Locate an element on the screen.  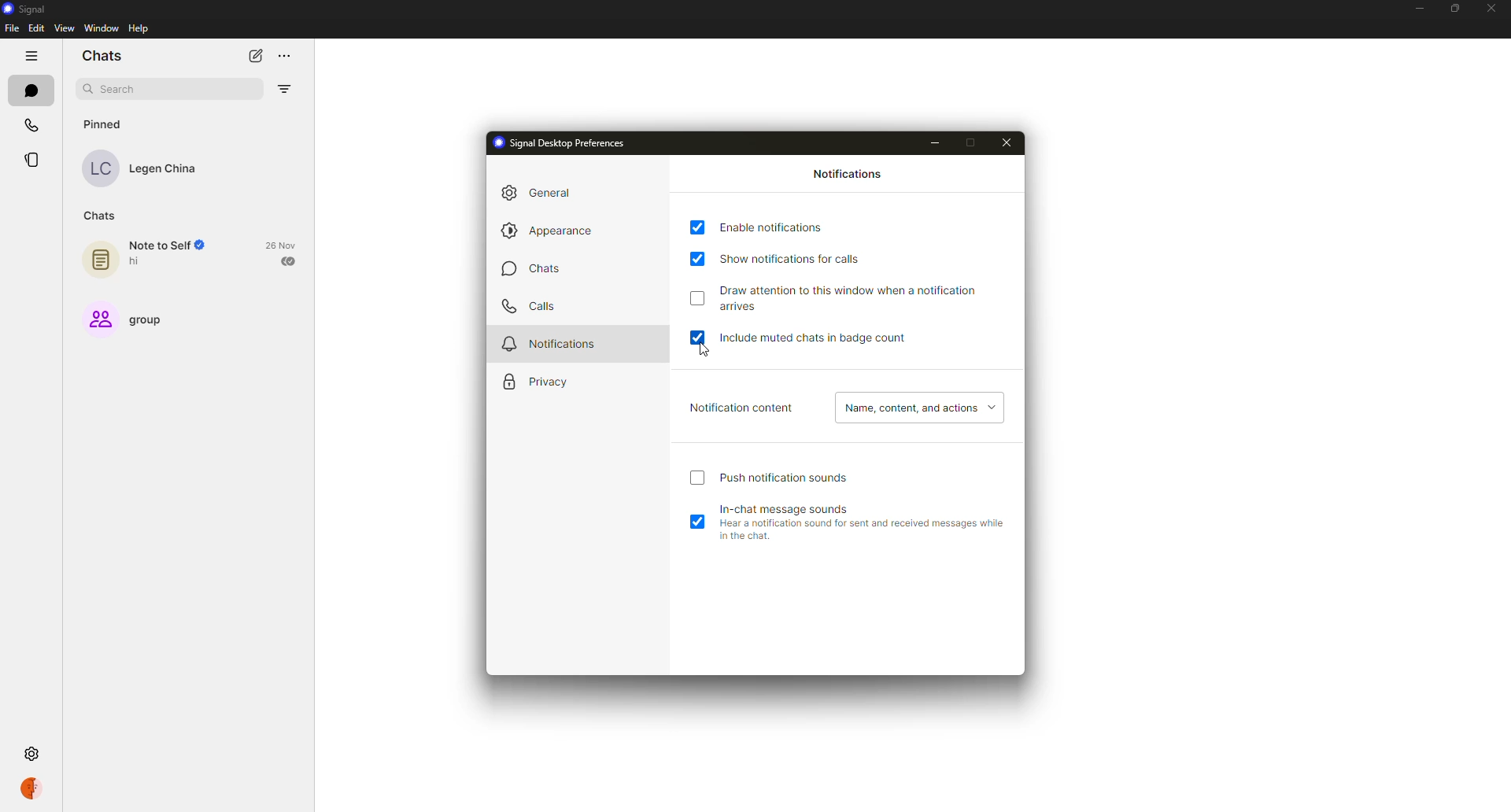
hi is located at coordinates (137, 262).